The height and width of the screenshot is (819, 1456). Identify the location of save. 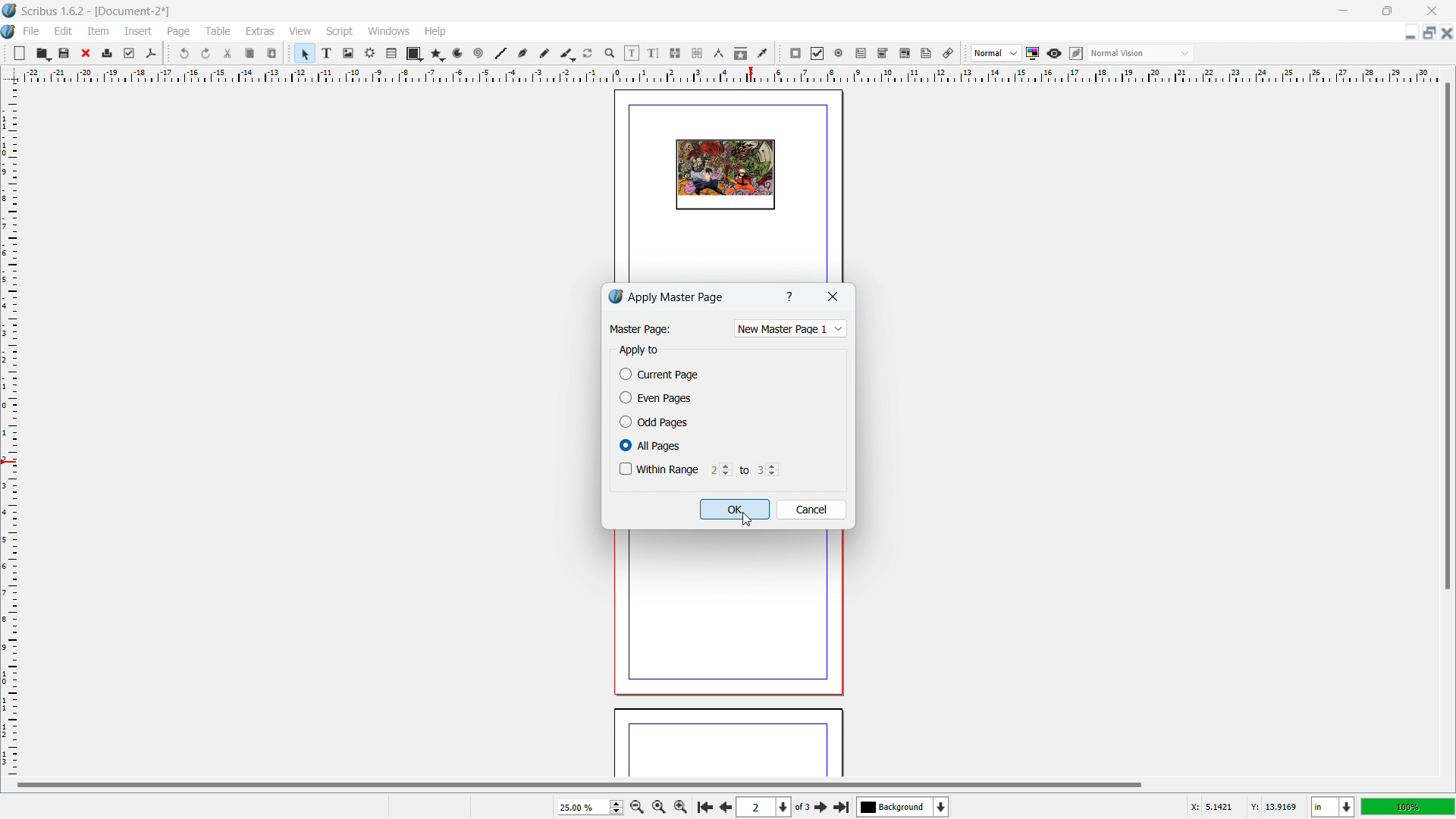
(65, 52).